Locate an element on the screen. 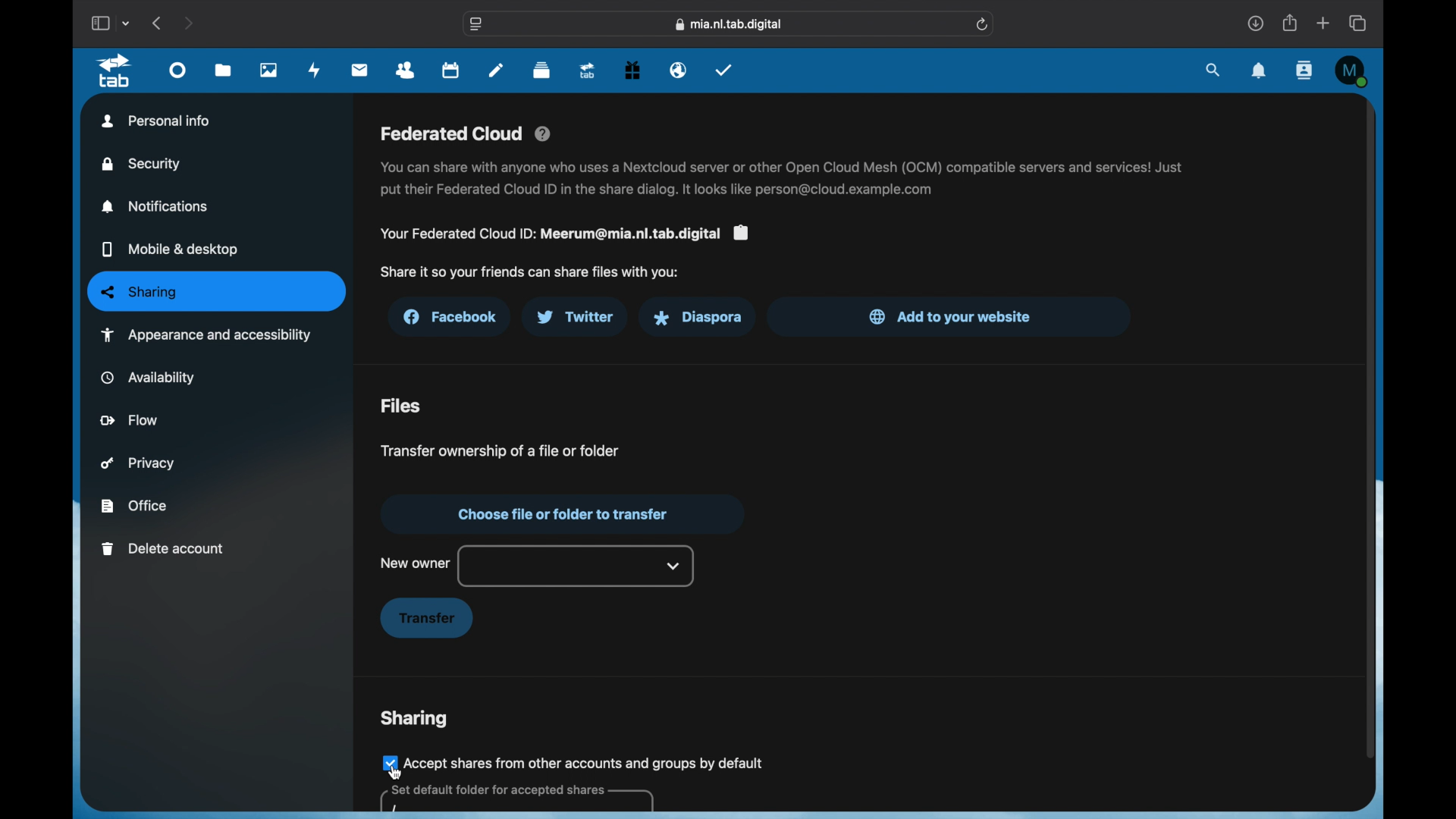  search is located at coordinates (1214, 71).